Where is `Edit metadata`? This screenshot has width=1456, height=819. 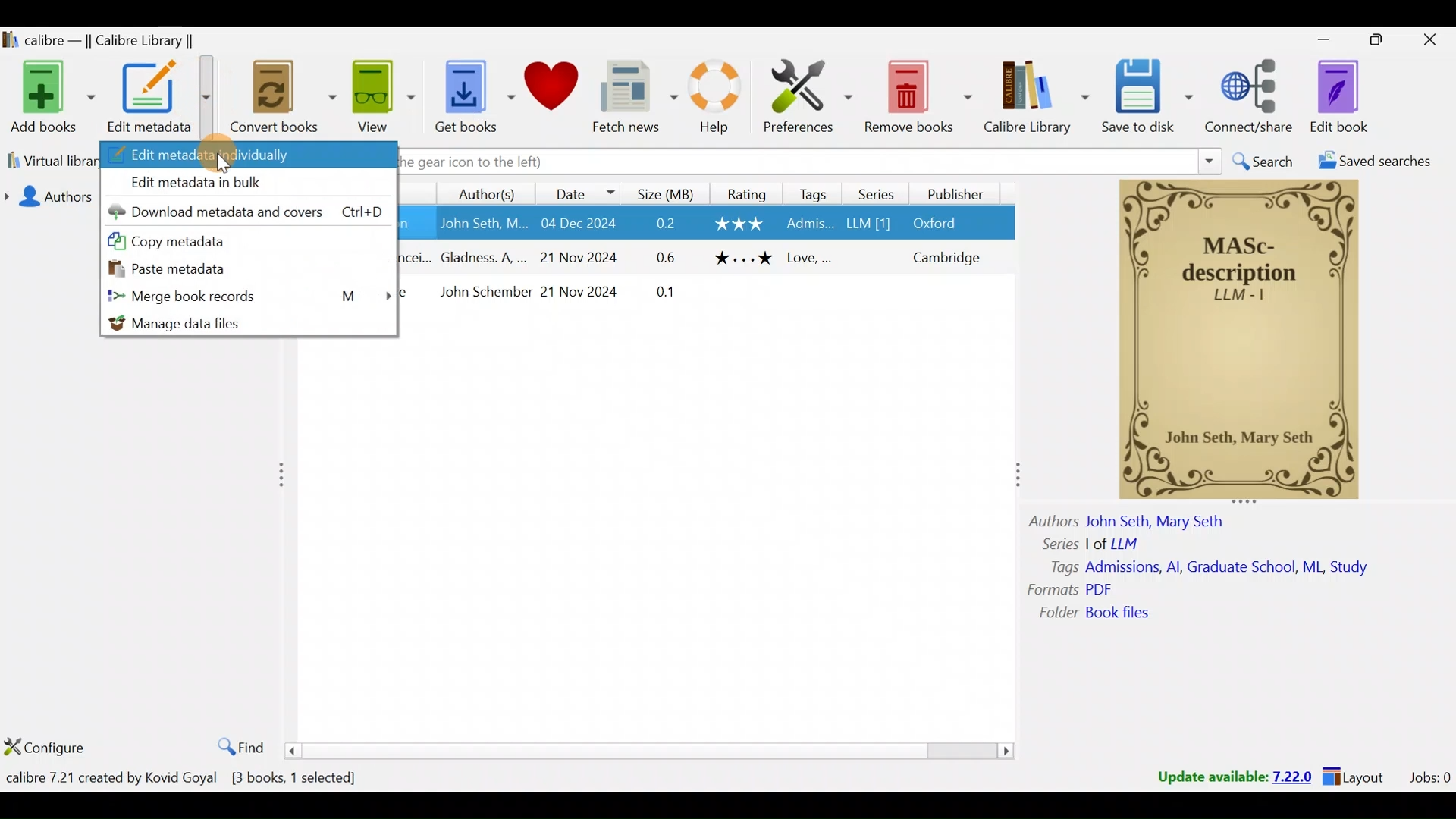
Edit metadata is located at coordinates (162, 99).